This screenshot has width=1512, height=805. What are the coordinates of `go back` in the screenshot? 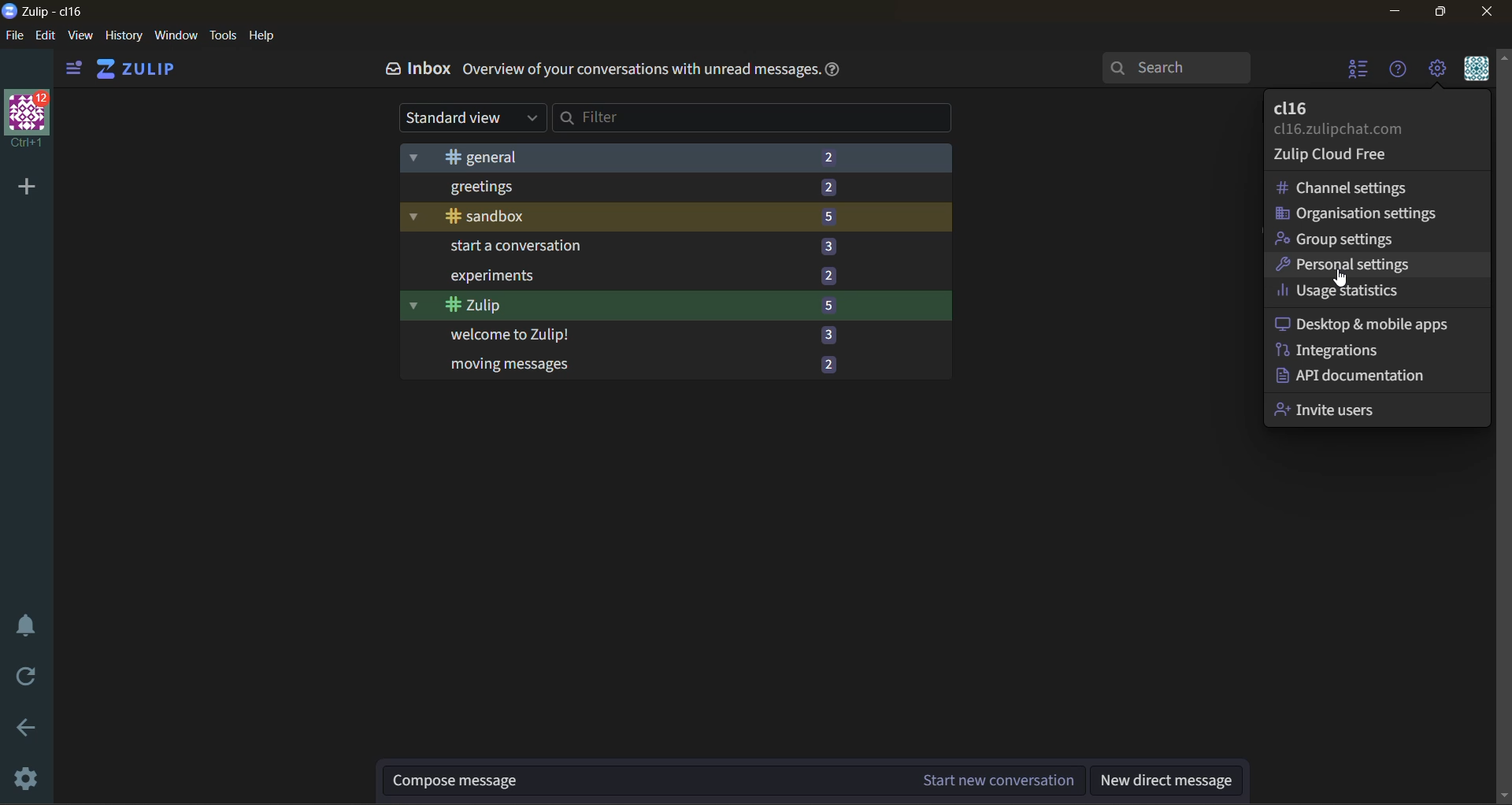 It's located at (31, 729).